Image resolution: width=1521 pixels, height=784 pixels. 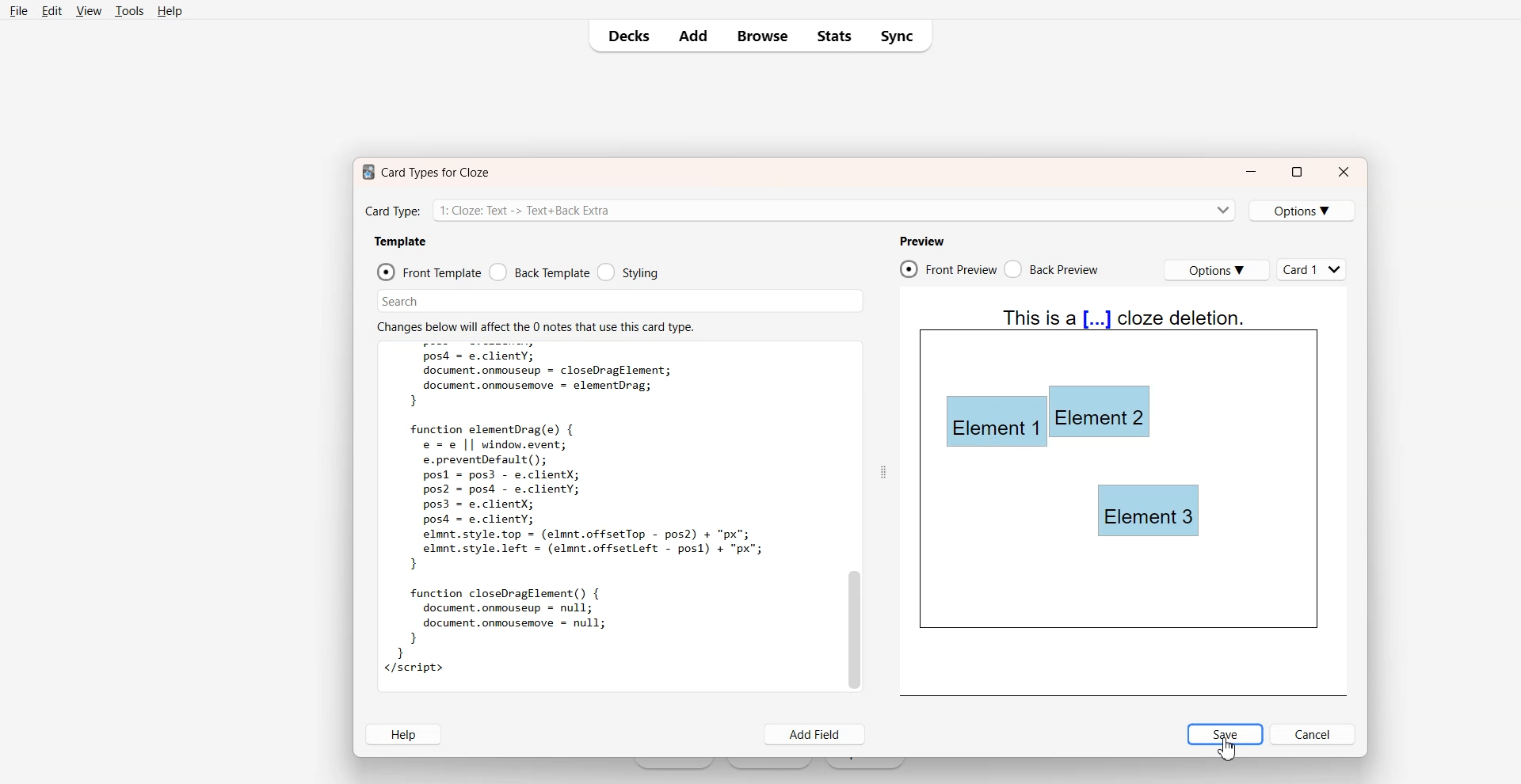 I want to click on Text, so click(x=581, y=516).